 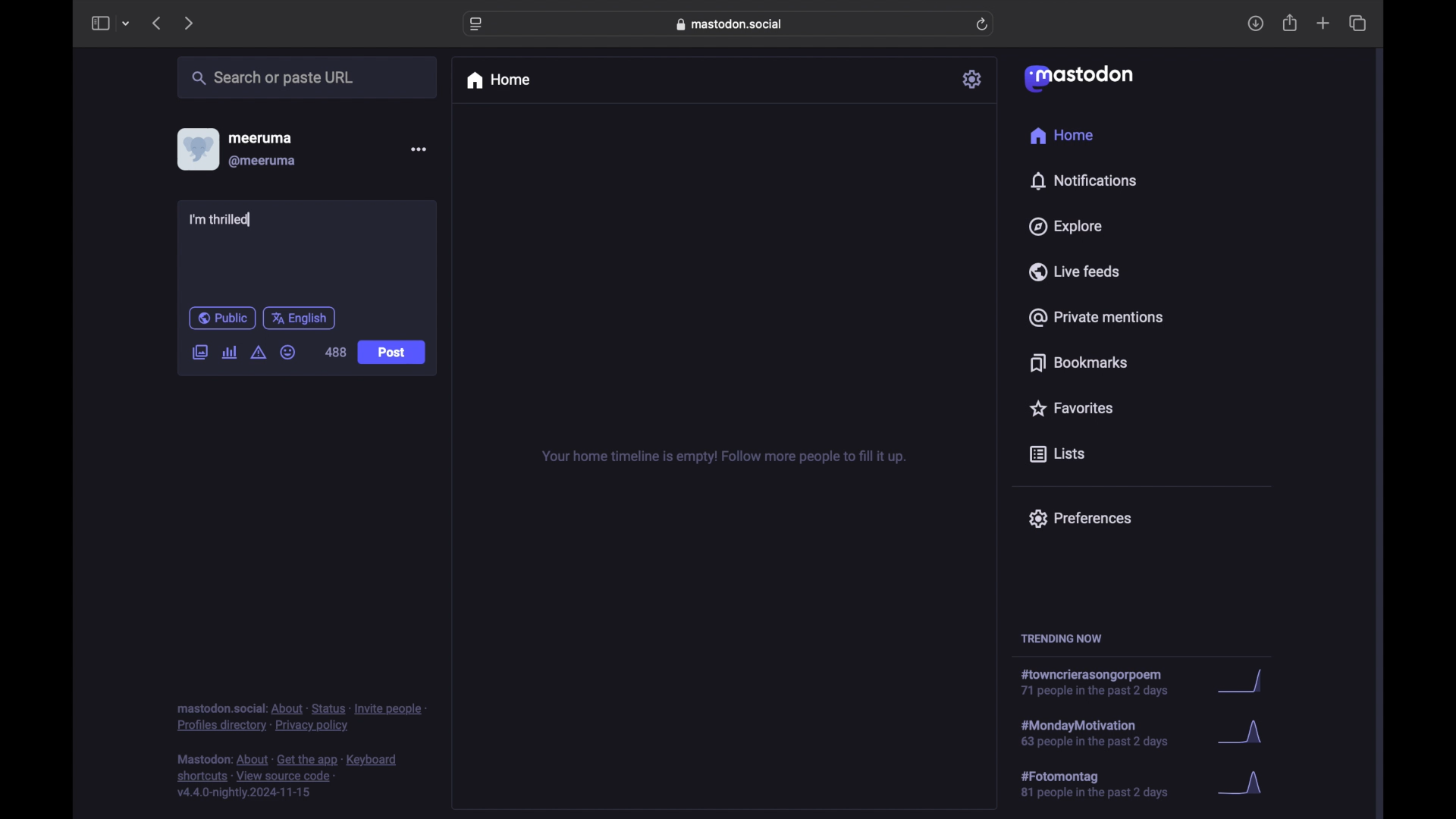 What do you see at coordinates (1105, 783) in the screenshot?
I see `hashtag trend` at bounding box center [1105, 783].